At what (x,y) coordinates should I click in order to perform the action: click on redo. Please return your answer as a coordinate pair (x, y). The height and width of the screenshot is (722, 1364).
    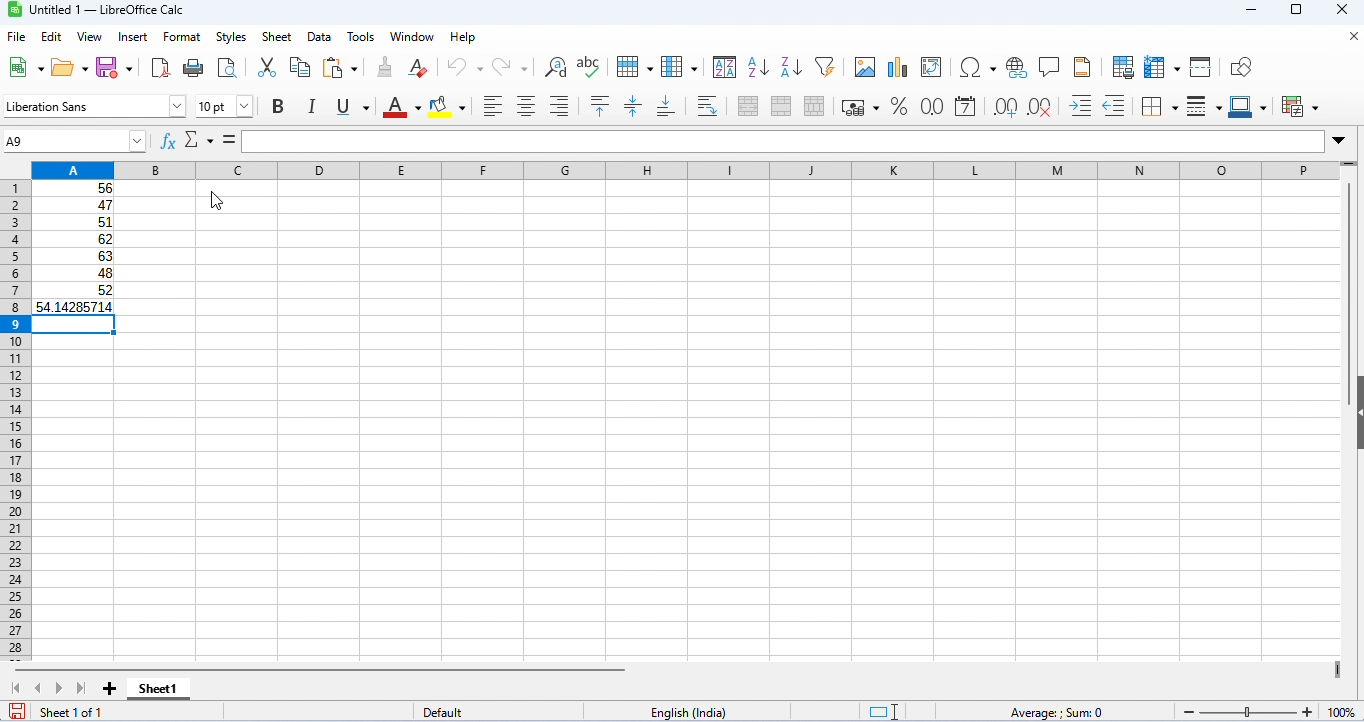
    Looking at the image, I should click on (512, 67).